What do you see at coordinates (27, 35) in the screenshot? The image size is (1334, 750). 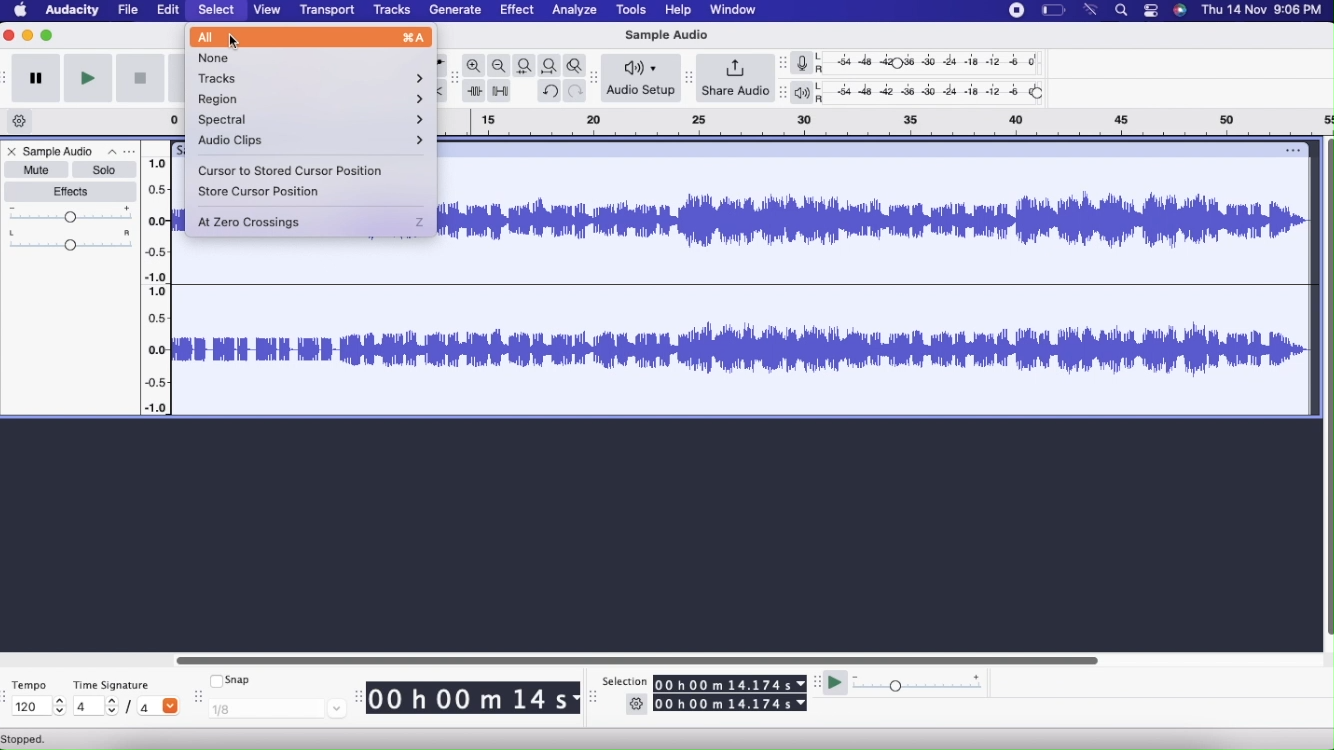 I see `Minimize` at bounding box center [27, 35].